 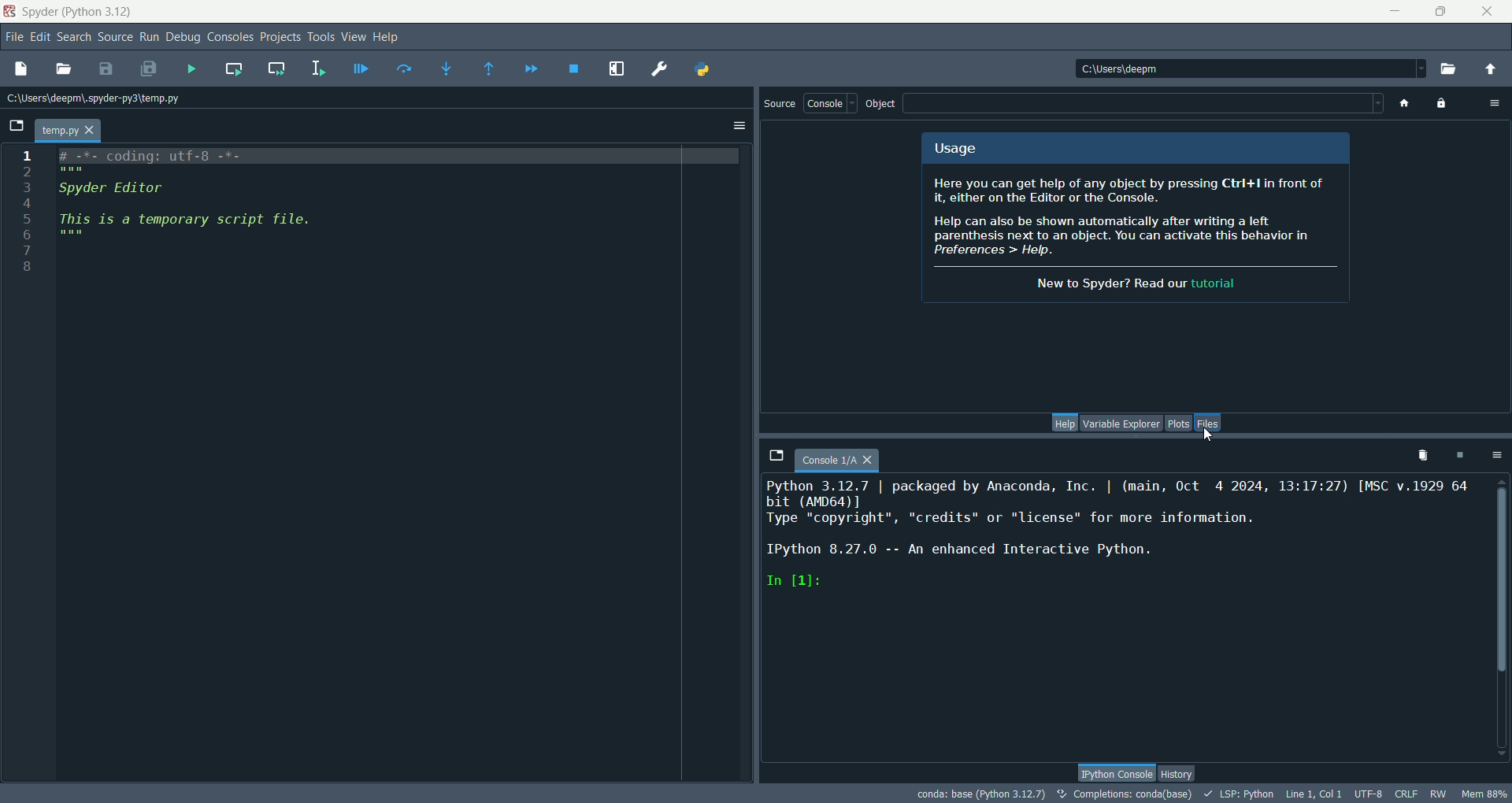 What do you see at coordinates (1495, 71) in the screenshot?
I see `change to parent directory` at bounding box center [1495, 71].